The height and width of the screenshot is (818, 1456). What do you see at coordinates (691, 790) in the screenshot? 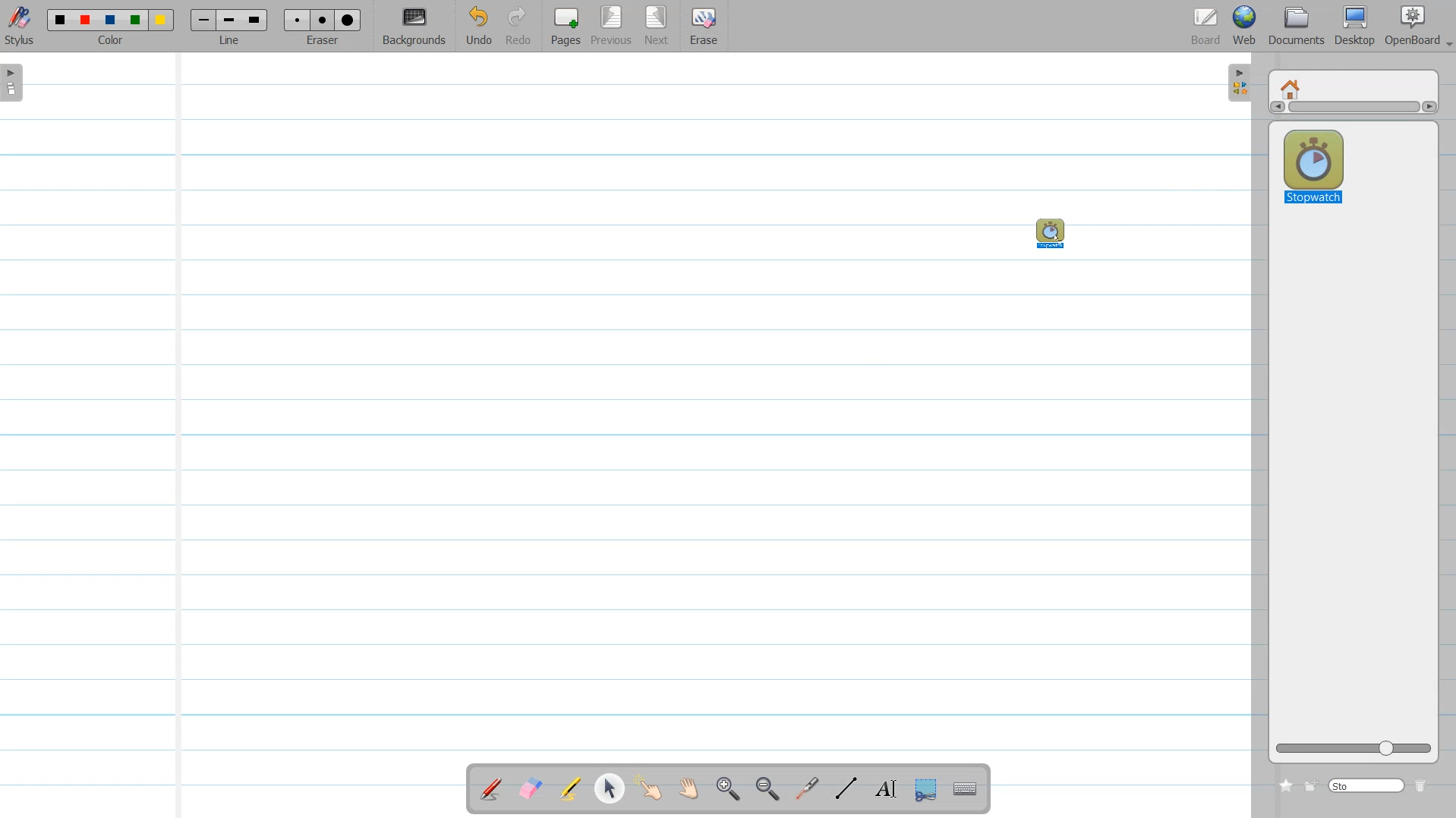
I see `Scroll Page` at bounding box center [691, 790].